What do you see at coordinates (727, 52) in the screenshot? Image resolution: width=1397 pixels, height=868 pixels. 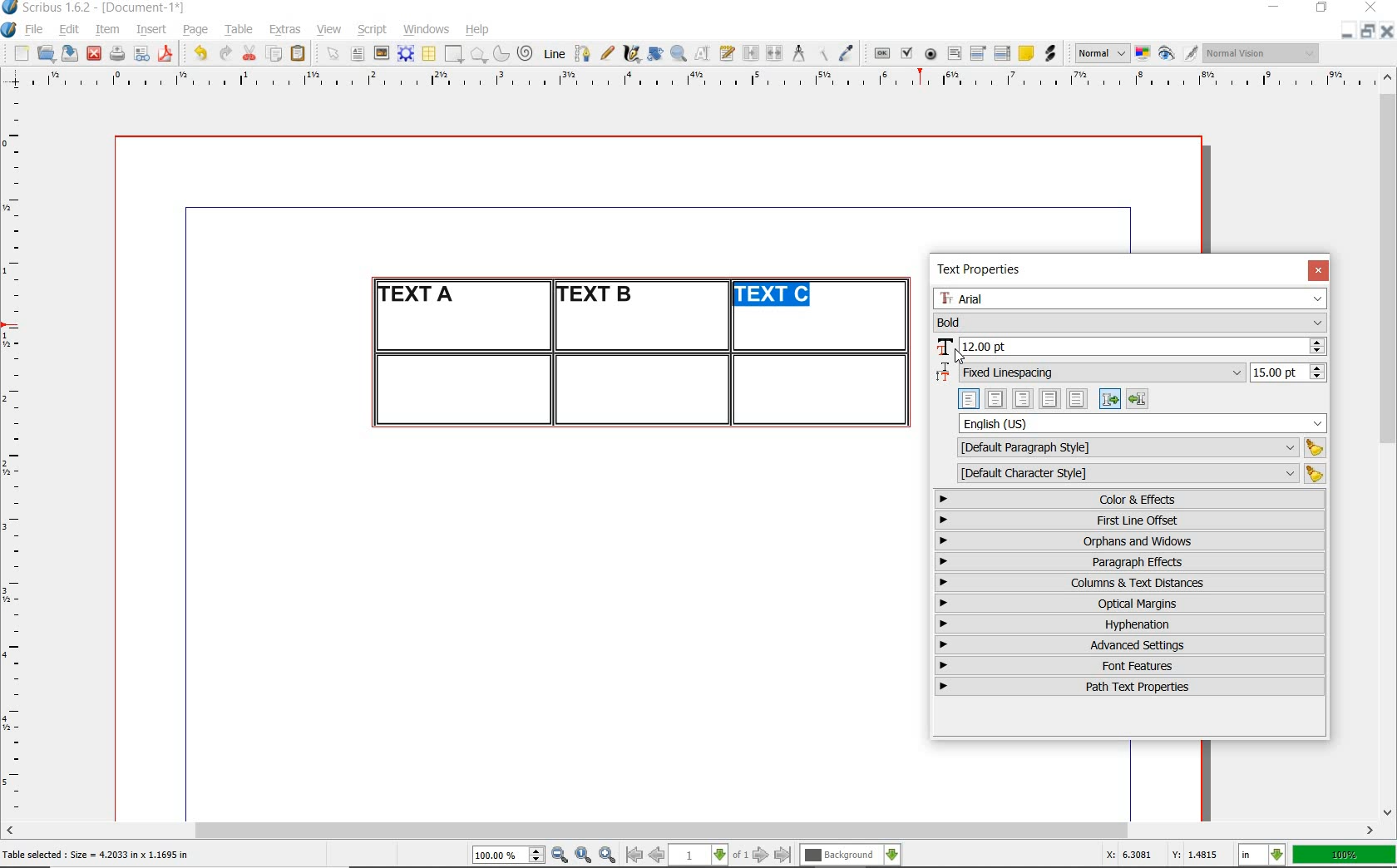 I see `edit text with story editor` at bounding box center [727, 52].